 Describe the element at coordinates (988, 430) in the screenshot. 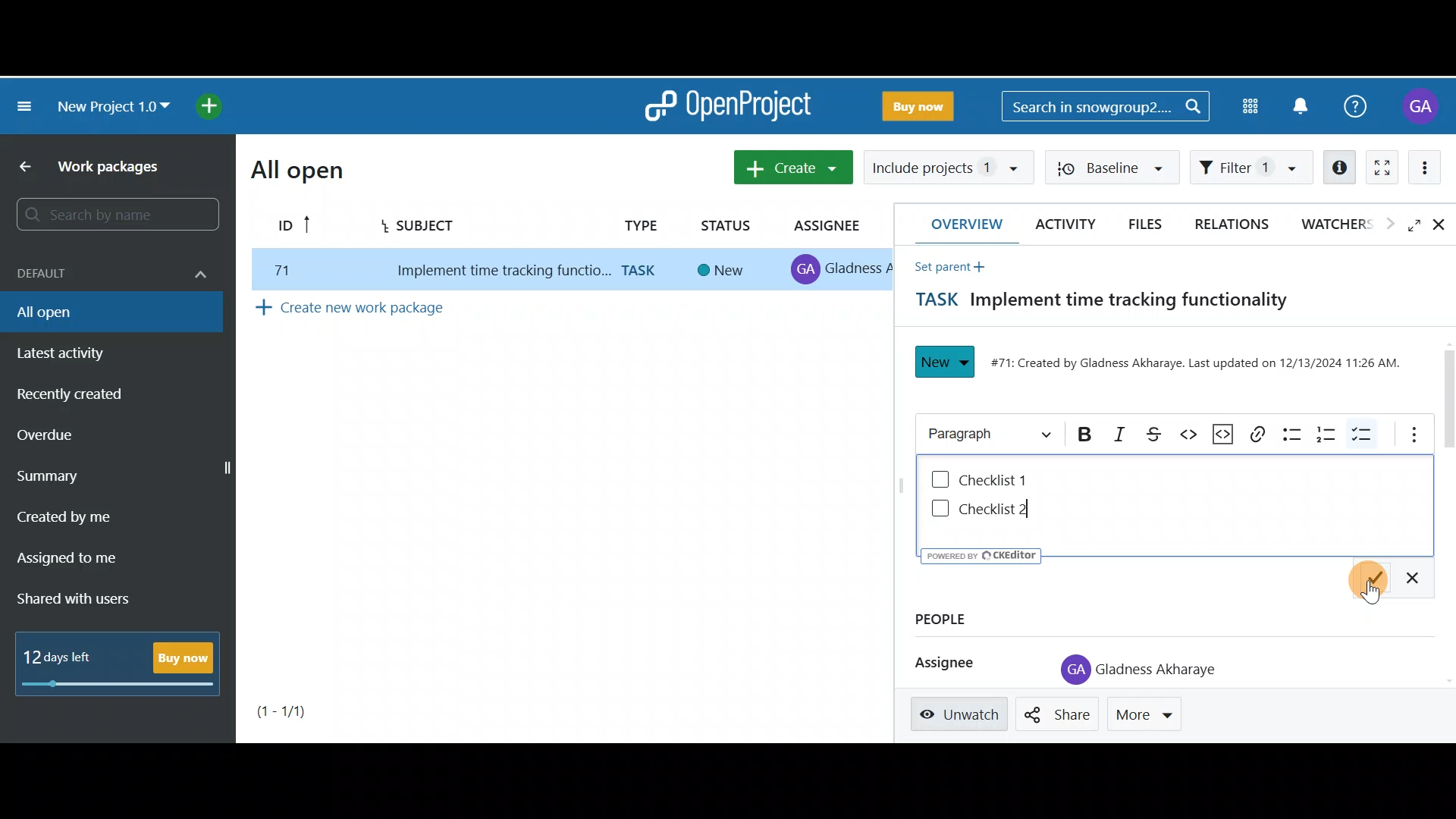

I see `Heading` at that location.